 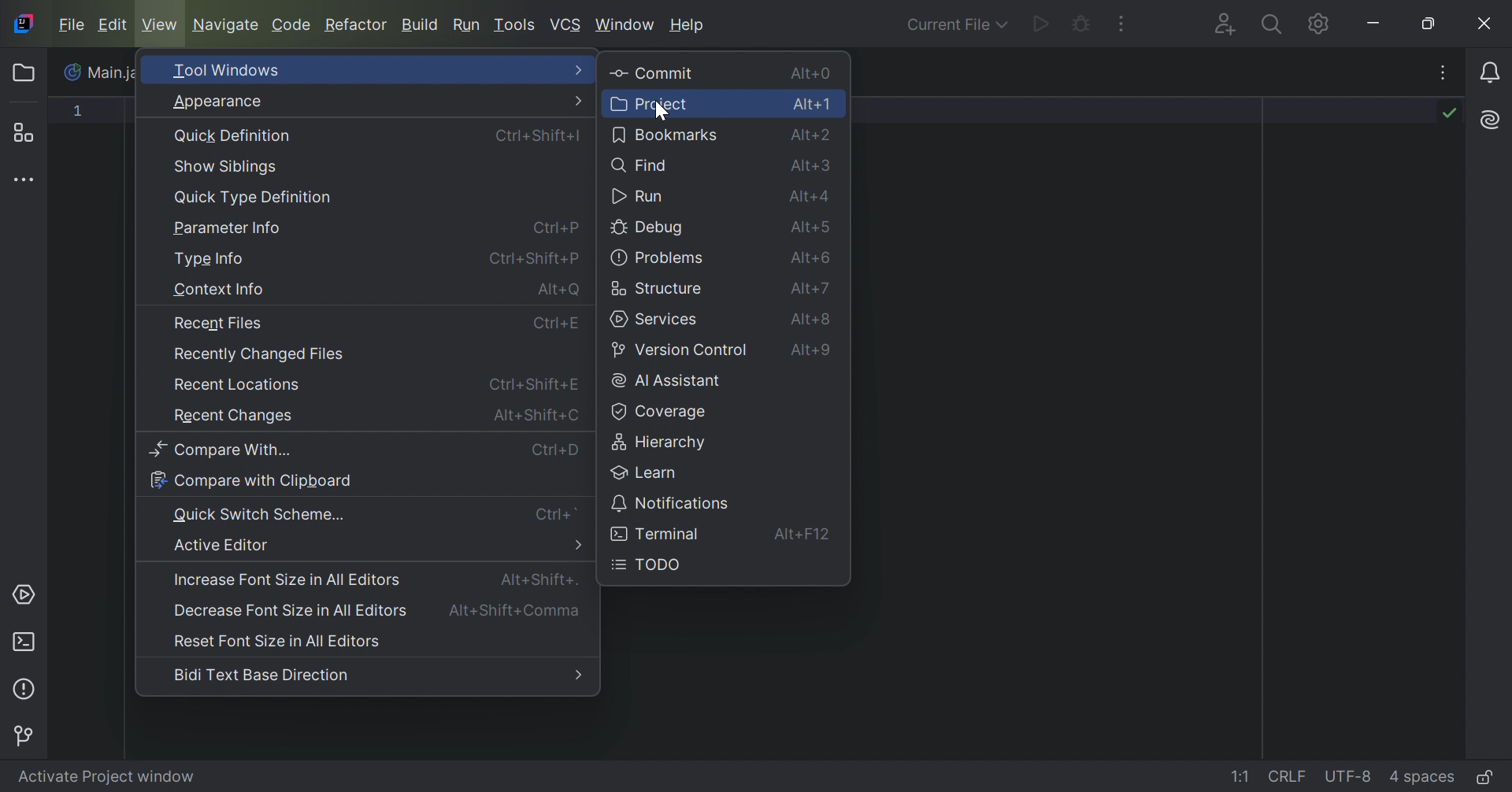 What do you see at coordinates (1421, 775) in the screenshot?
I see `4 spaces` at bounding box center [1421, 775].